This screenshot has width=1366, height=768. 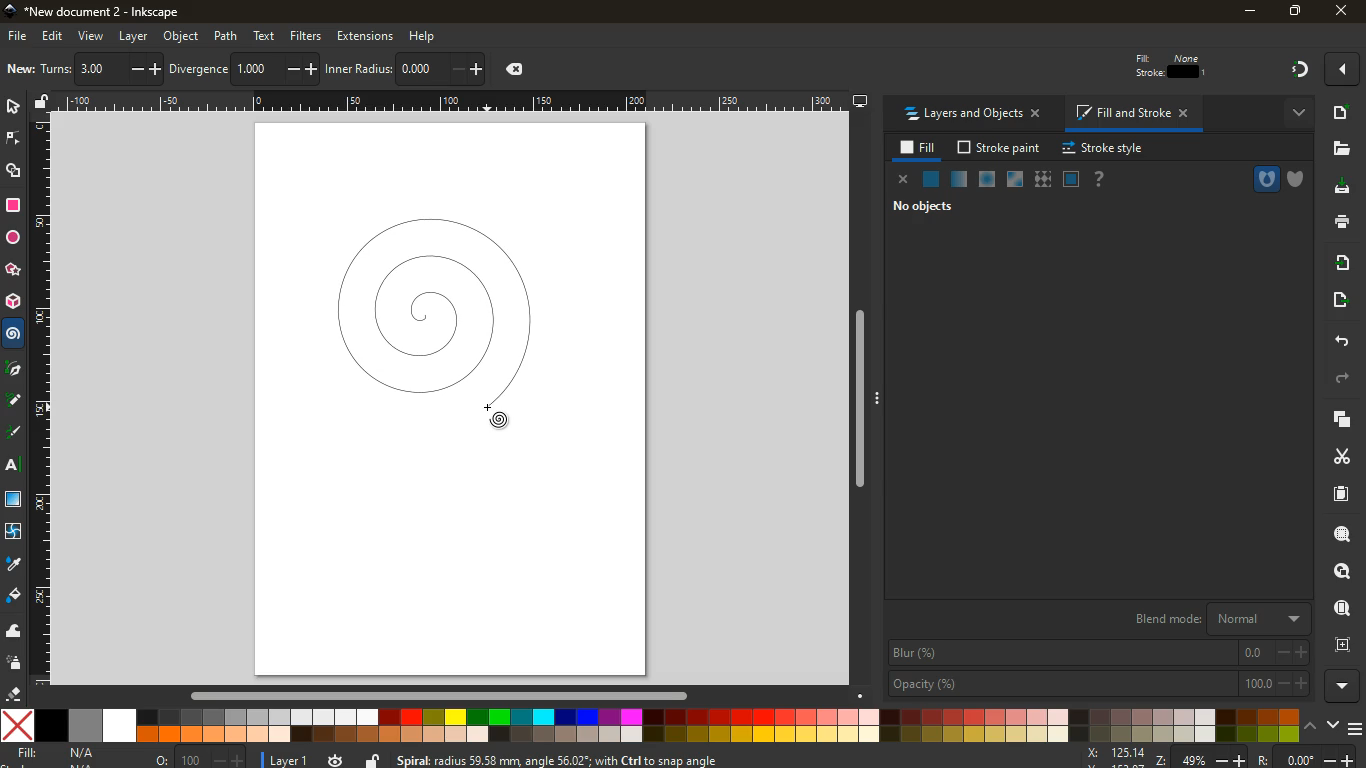 What do you see at coordinates (431, 35) in the screenshot?
I see `help` at bounding box center [431, 35].